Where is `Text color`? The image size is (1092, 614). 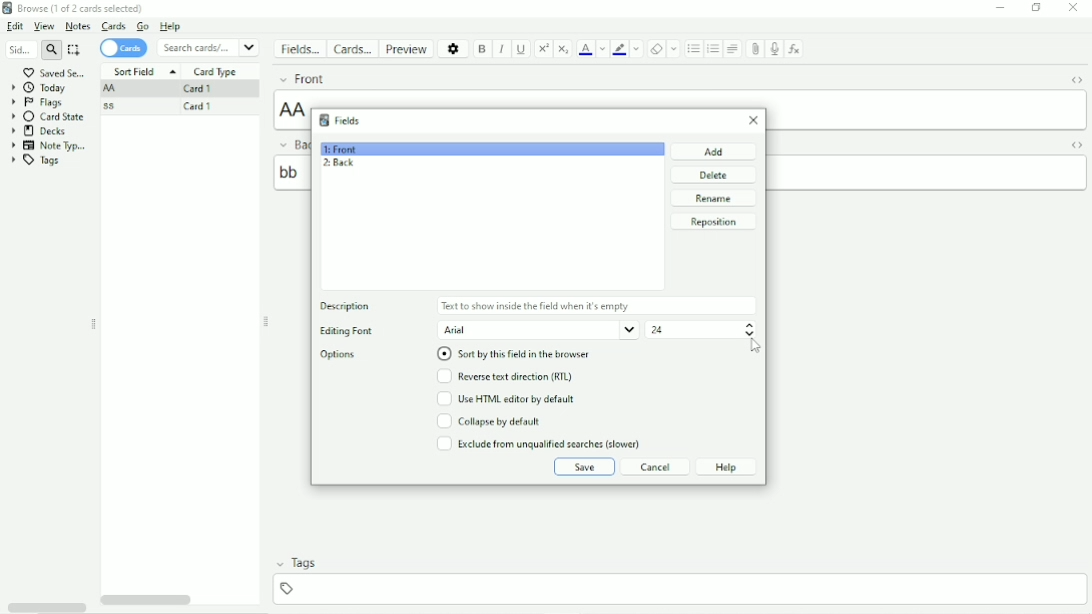 Text color is located at coordinates (585, 48).